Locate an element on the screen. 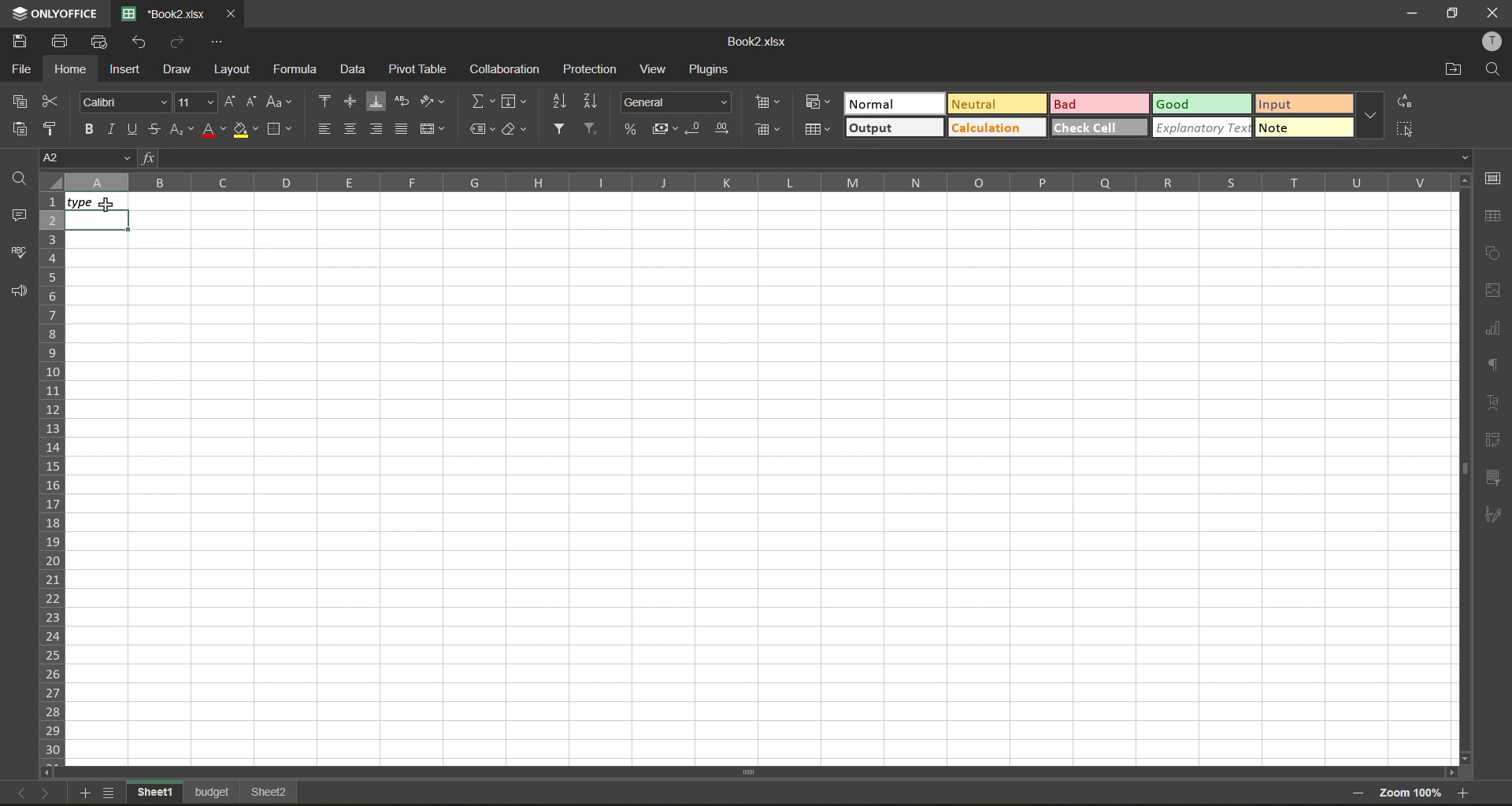 The image size is (1512, 806). justified is located at coordinates (401, 128).